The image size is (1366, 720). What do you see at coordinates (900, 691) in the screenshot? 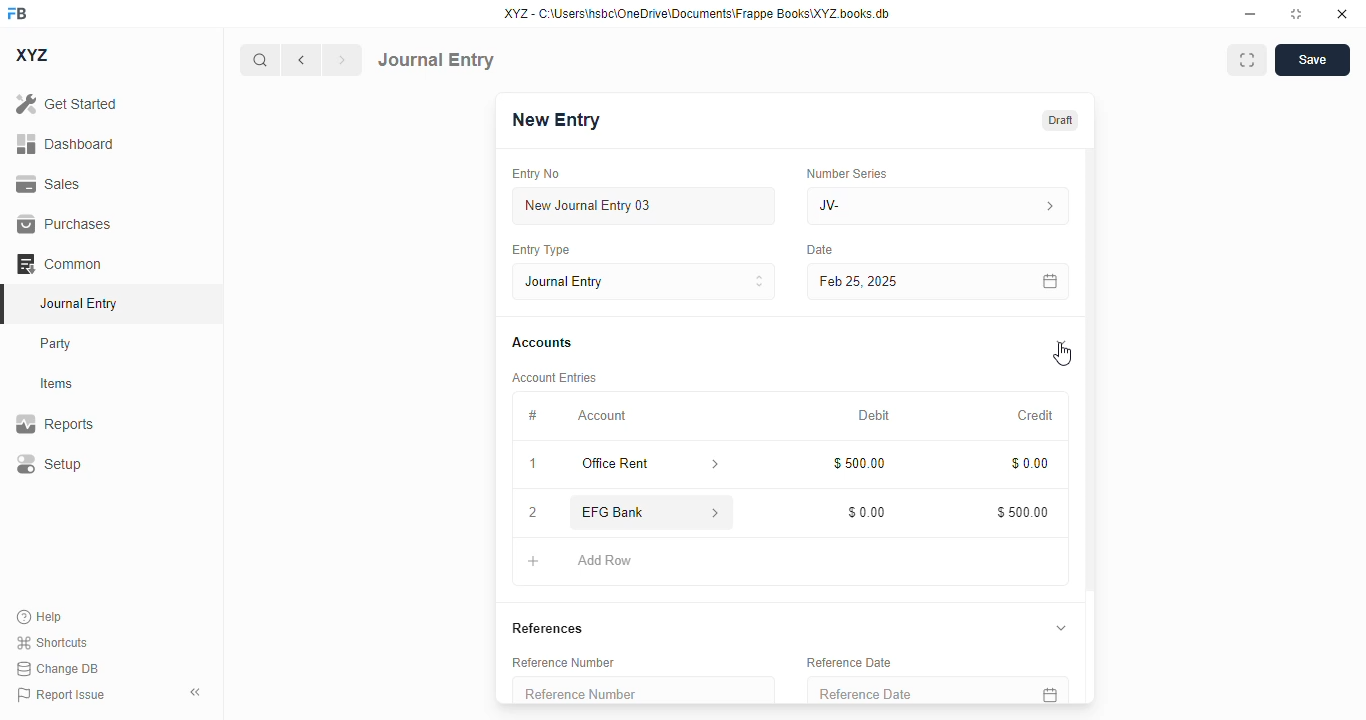
I see `reference date` at bounding box center [900, 691].